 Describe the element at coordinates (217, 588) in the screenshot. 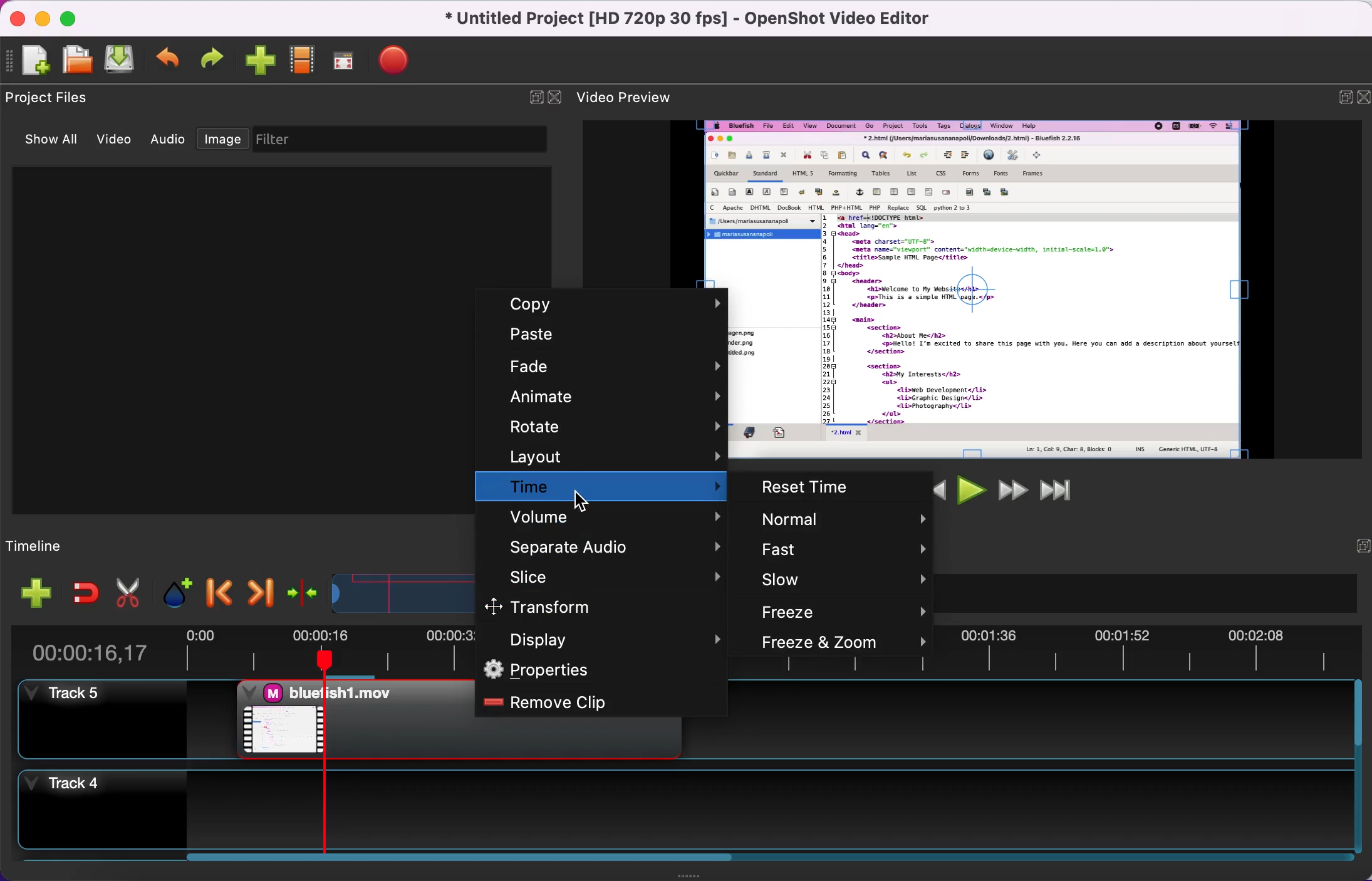

I see `previous marker` at that location.